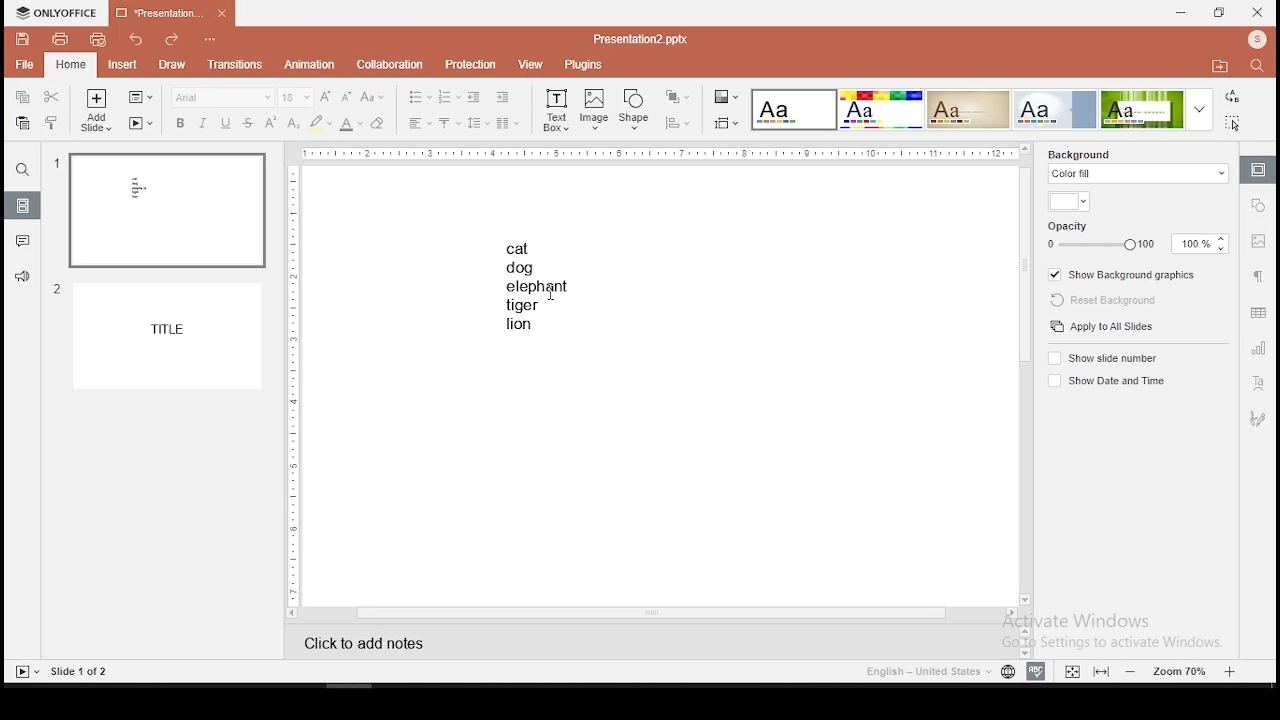 The image size is (1280, 720). I want to click on bullets, so click(419, 97).